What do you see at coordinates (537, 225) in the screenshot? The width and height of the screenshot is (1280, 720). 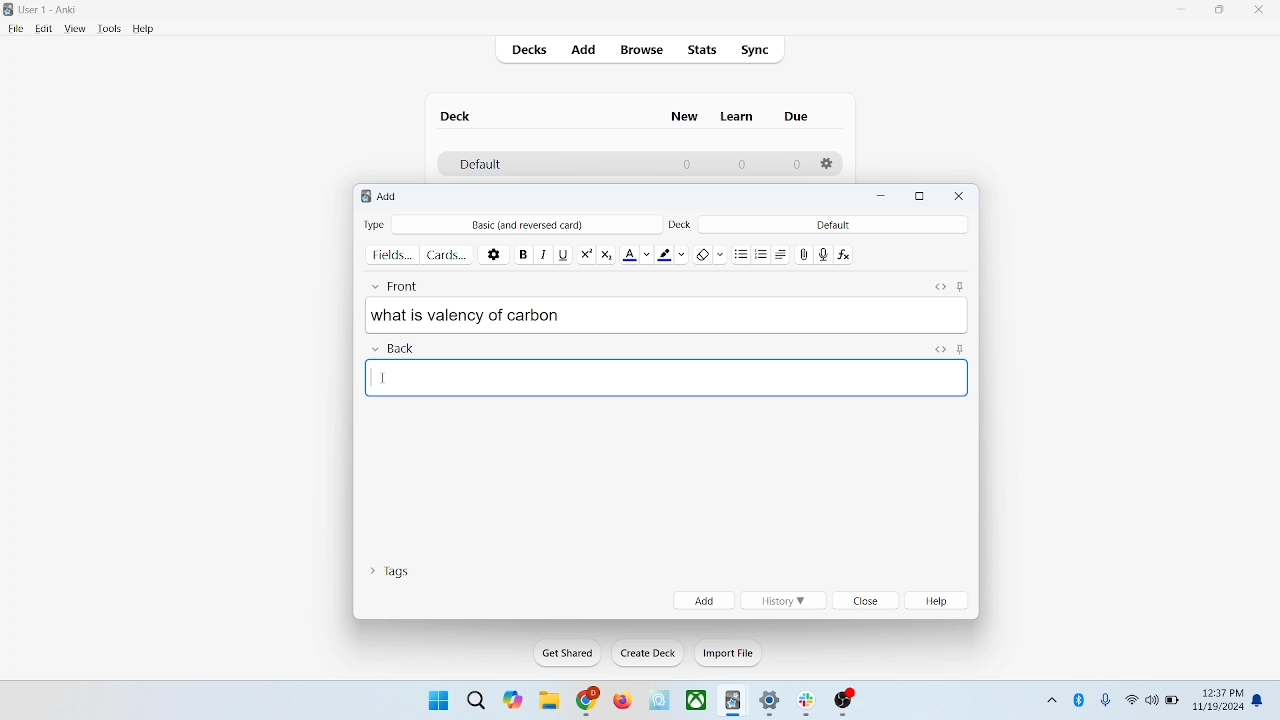 I see `Basic (and reversed card)` at bounding box center [537, 225].